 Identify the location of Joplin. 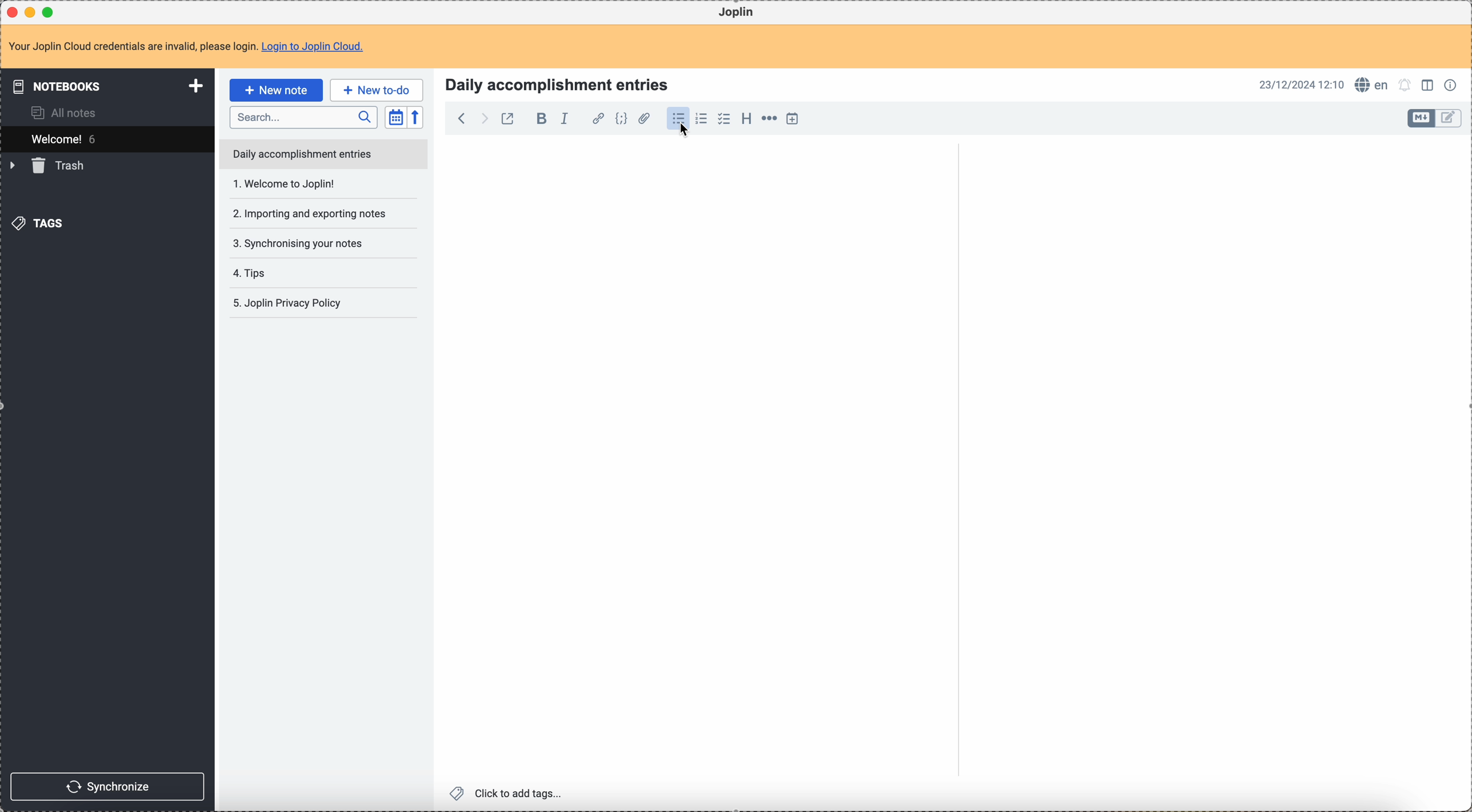
(738, 13).